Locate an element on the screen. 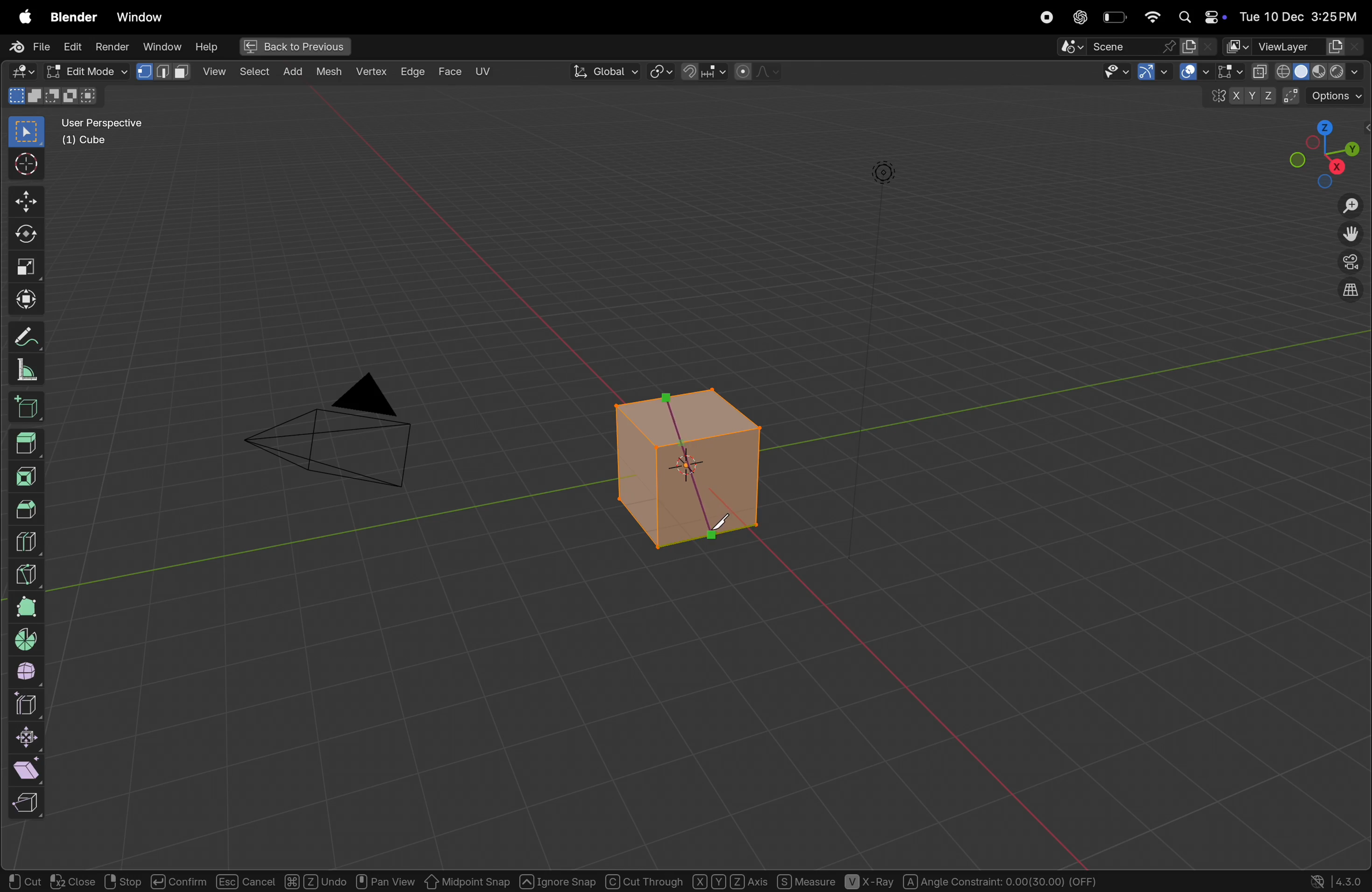 Image resolution: width=1372 pixels, height=892 pixels. X-Ray is located at coordinates (870, 882).